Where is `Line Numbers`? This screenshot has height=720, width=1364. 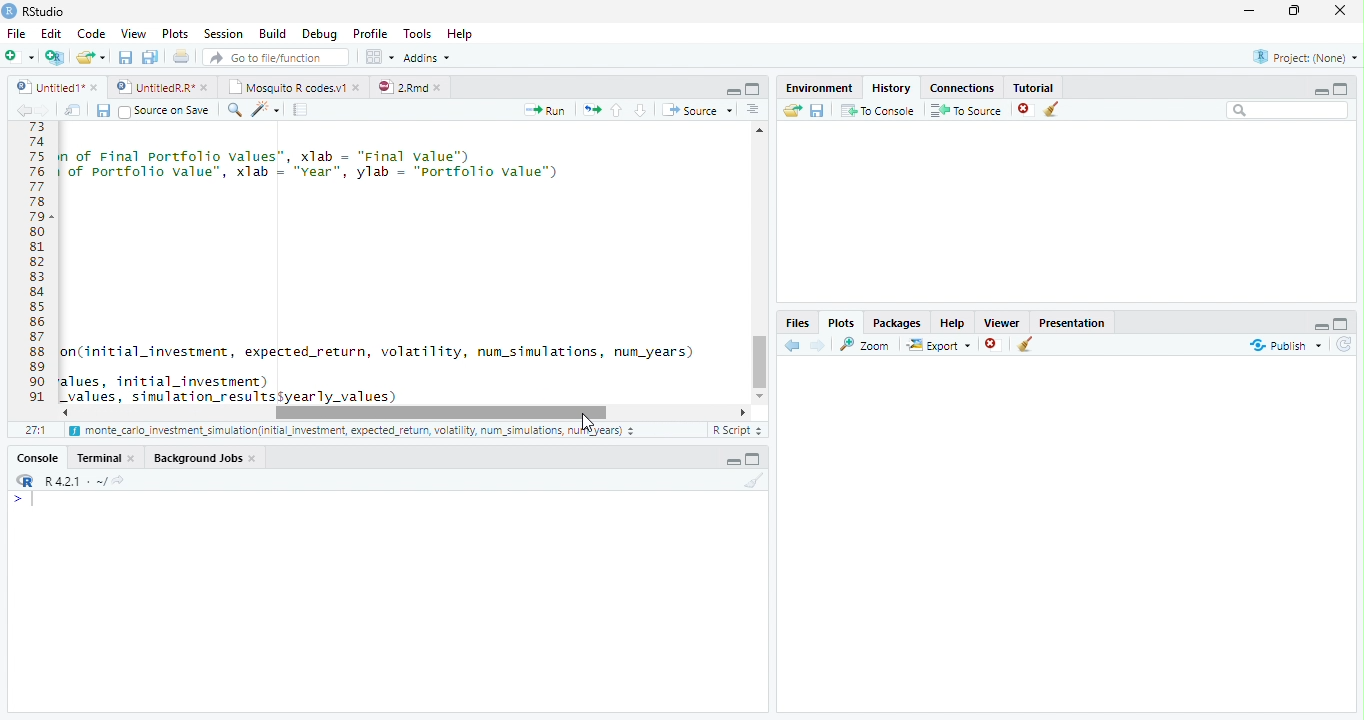
Line Numbers is located at coordinates (35, 270).